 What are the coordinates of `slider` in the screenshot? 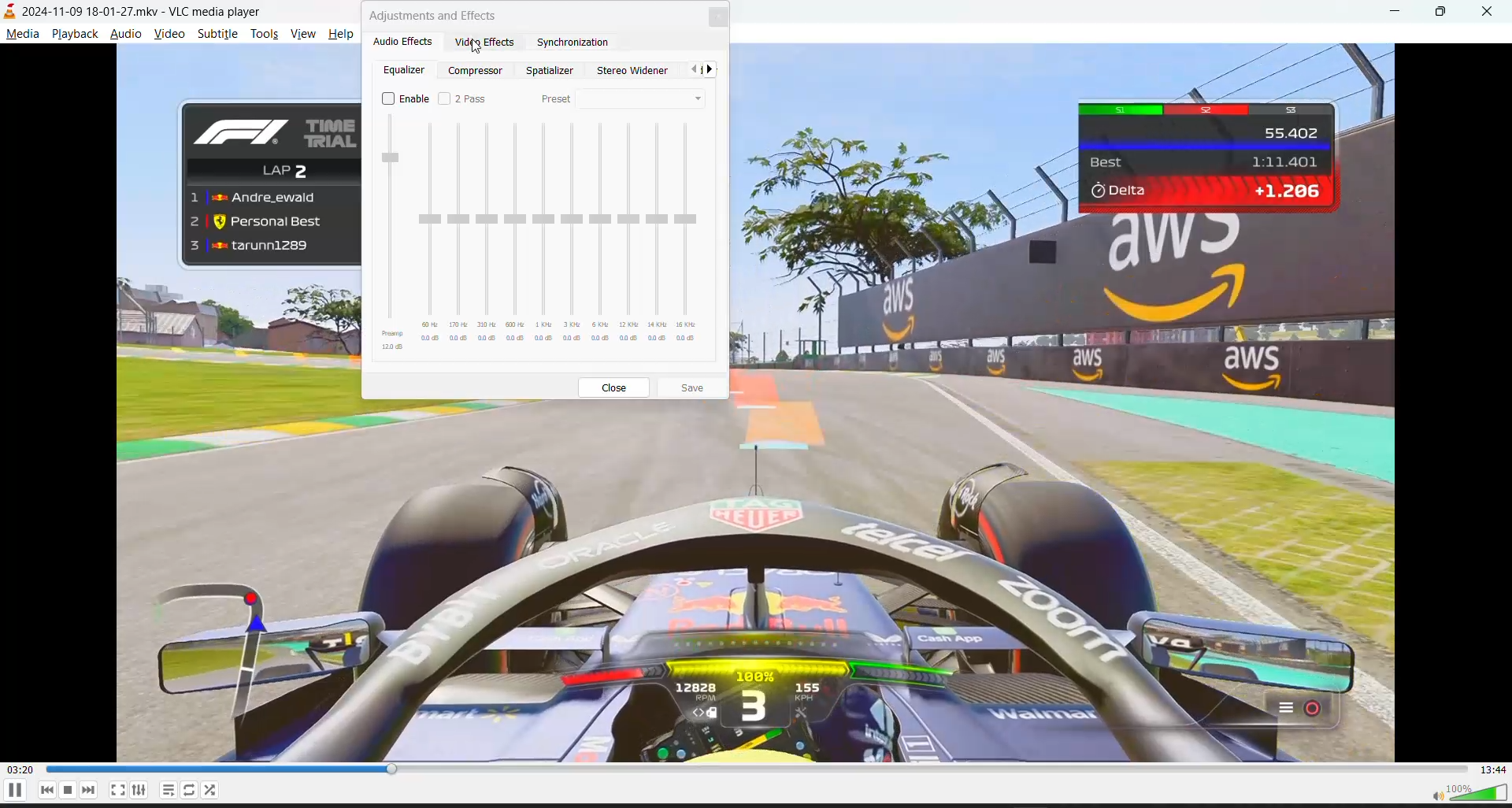 It's located at (543, 231).